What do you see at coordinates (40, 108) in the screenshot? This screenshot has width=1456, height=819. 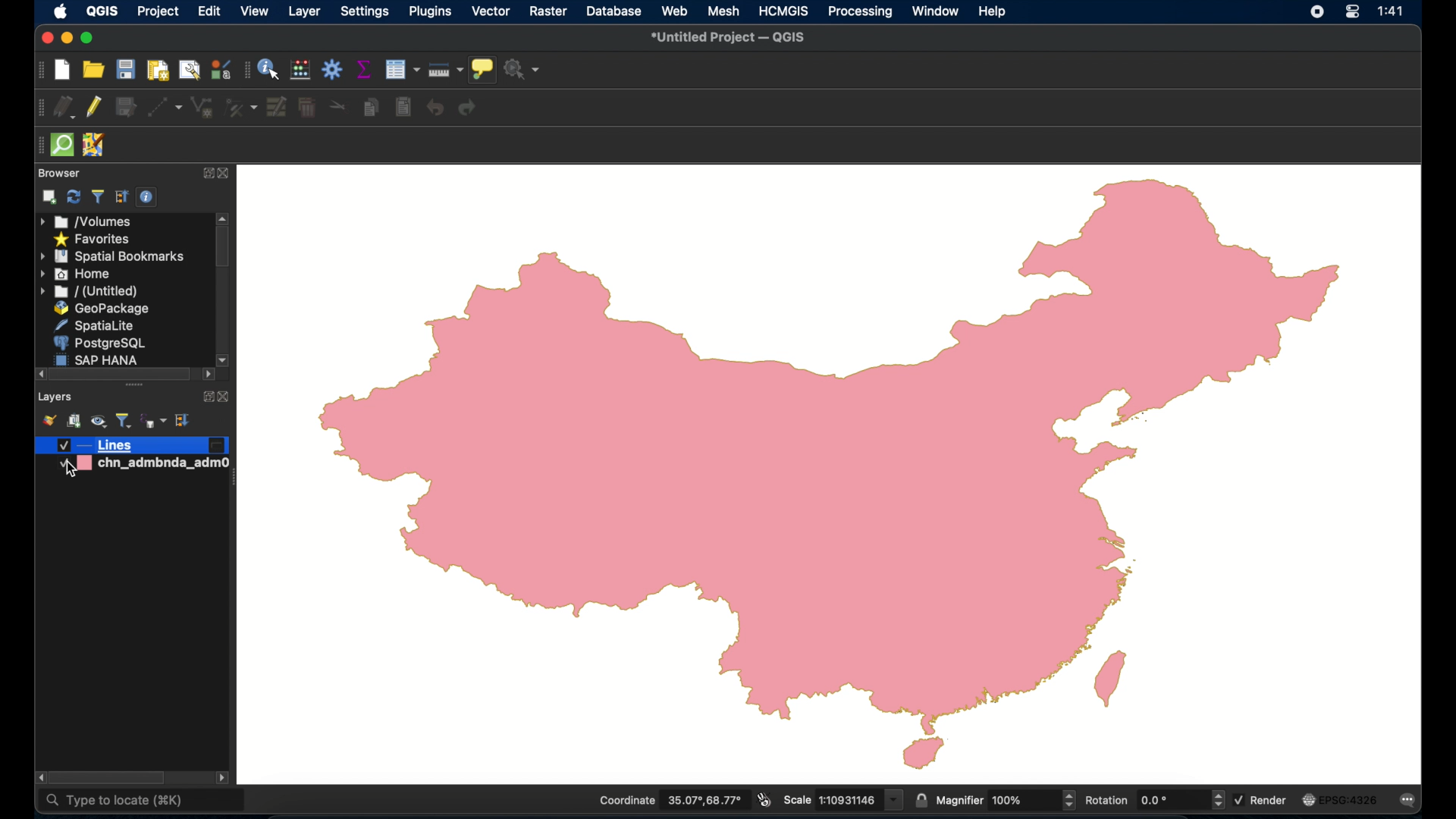 I see `digitizing toolbar` at bounding box center [40, 108].